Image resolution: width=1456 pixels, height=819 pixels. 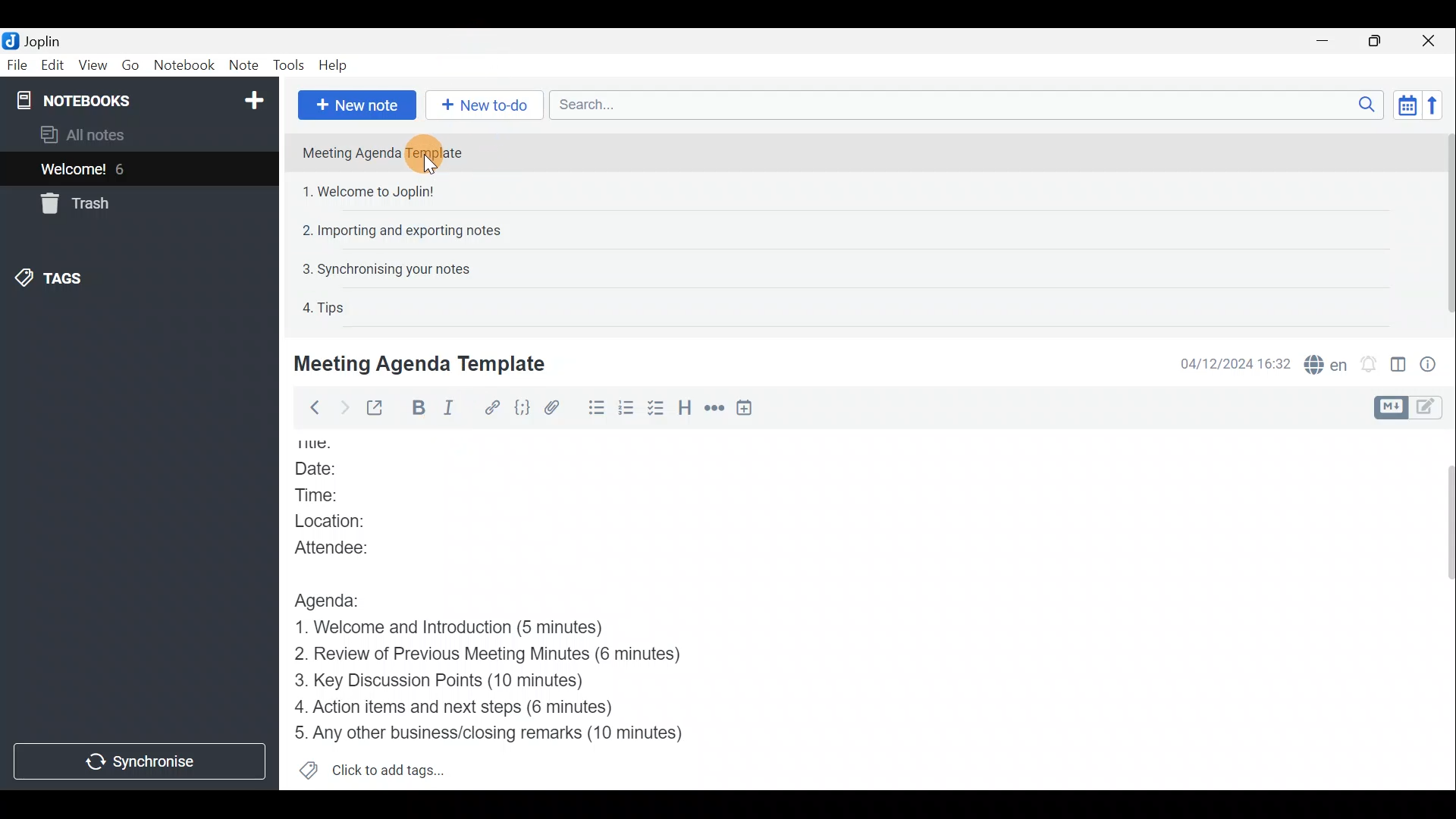 I want to click on 4. Action items and next steps (6 minutes), so click(x=479, y=706).